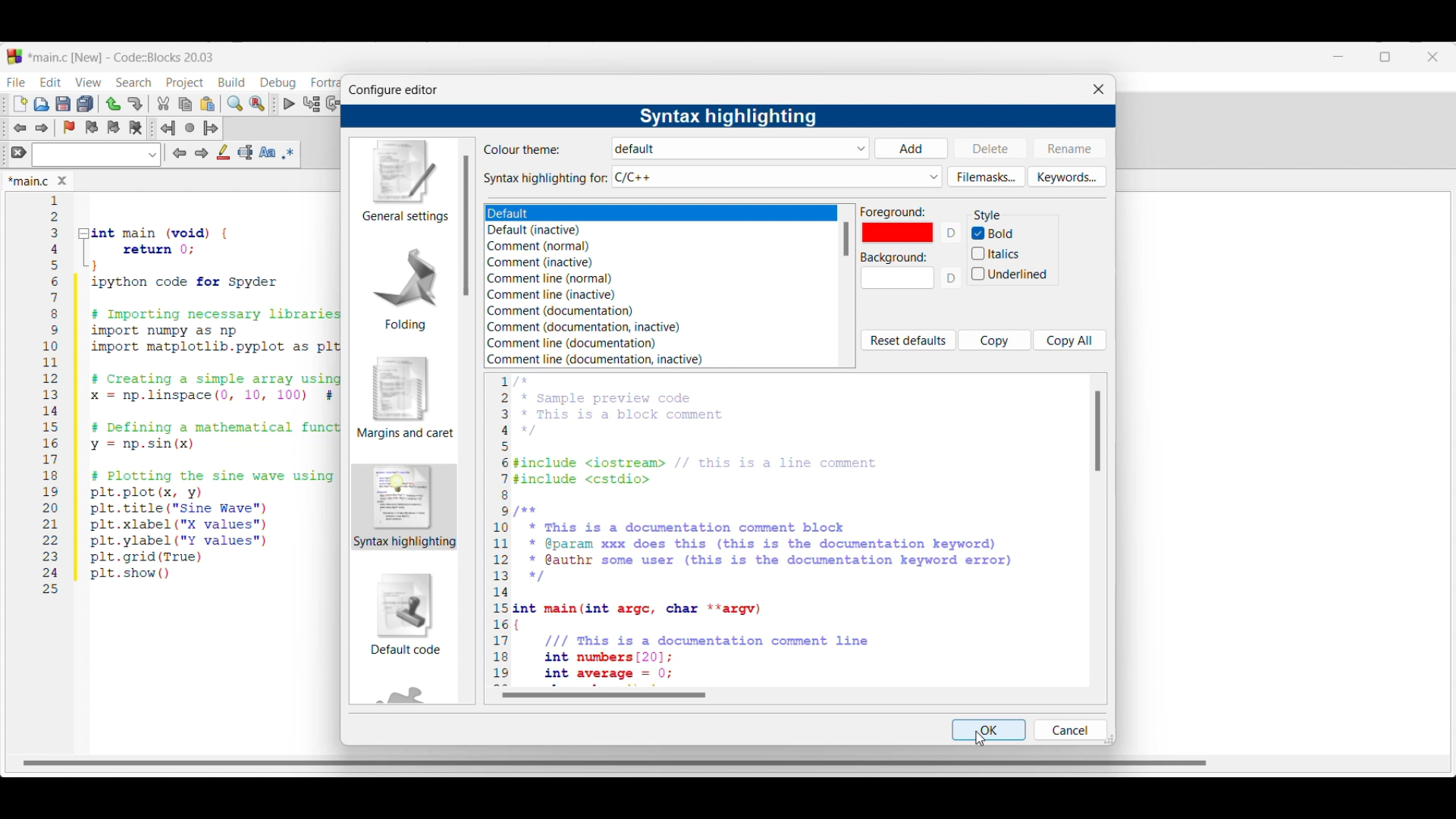  Describe the element at coordinates (201, 152) in the screenshot. I see `Next` at that location.